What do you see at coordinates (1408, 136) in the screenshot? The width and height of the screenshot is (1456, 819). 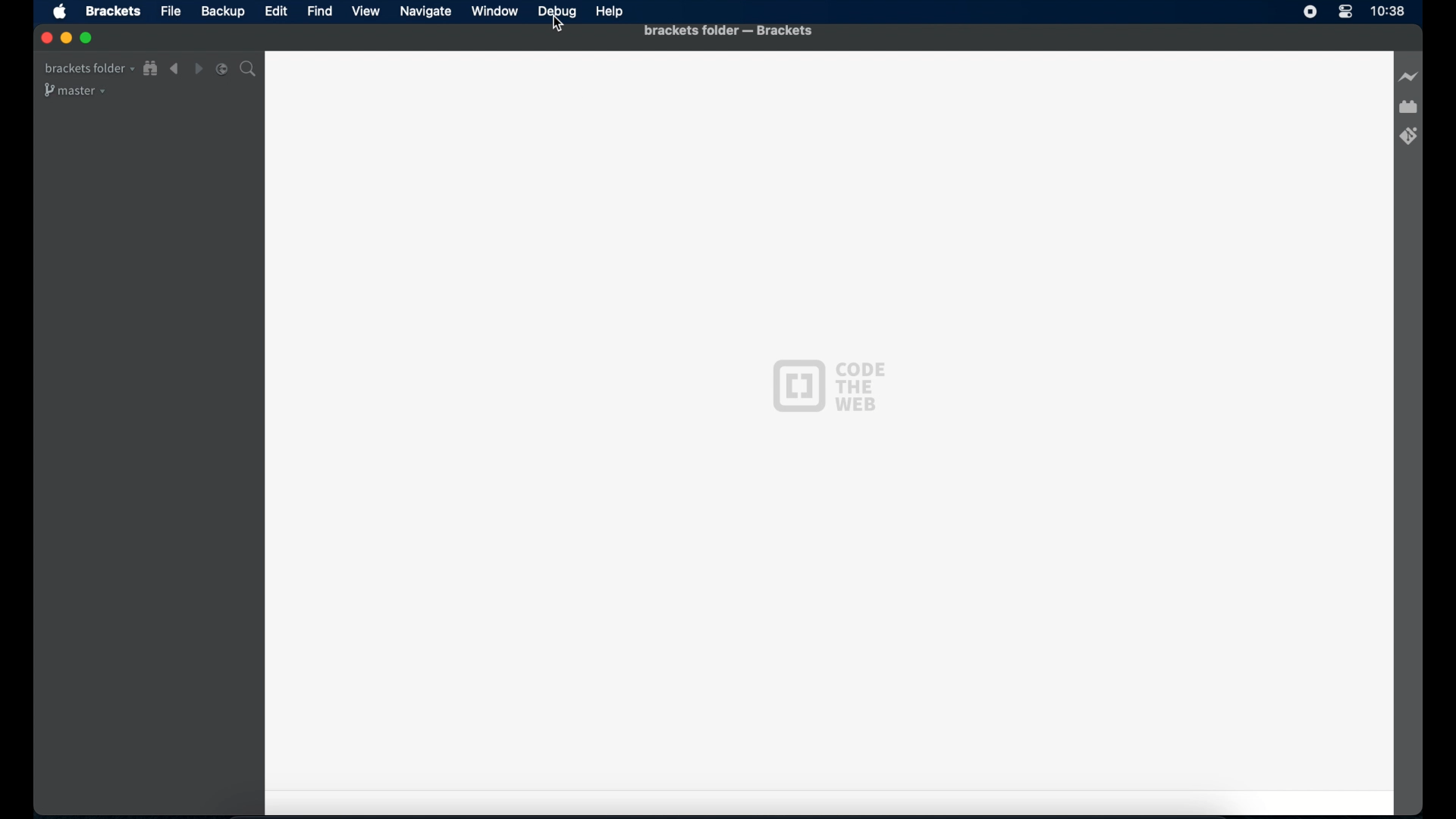 I see `brackets  git extension` at bounding box center [1408, 136].